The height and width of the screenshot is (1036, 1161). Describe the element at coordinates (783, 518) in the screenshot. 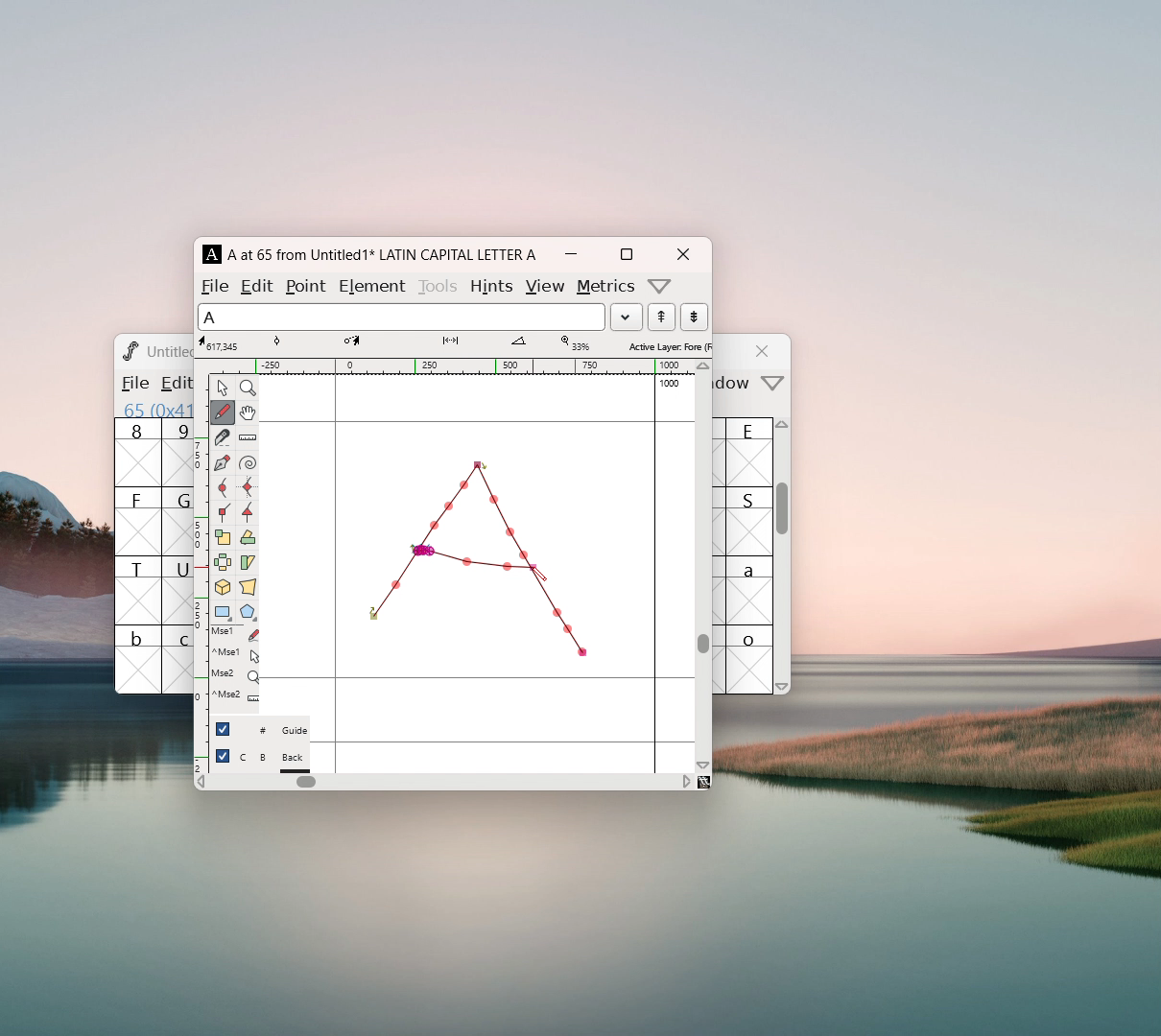

I see `scrollbar` at that location.